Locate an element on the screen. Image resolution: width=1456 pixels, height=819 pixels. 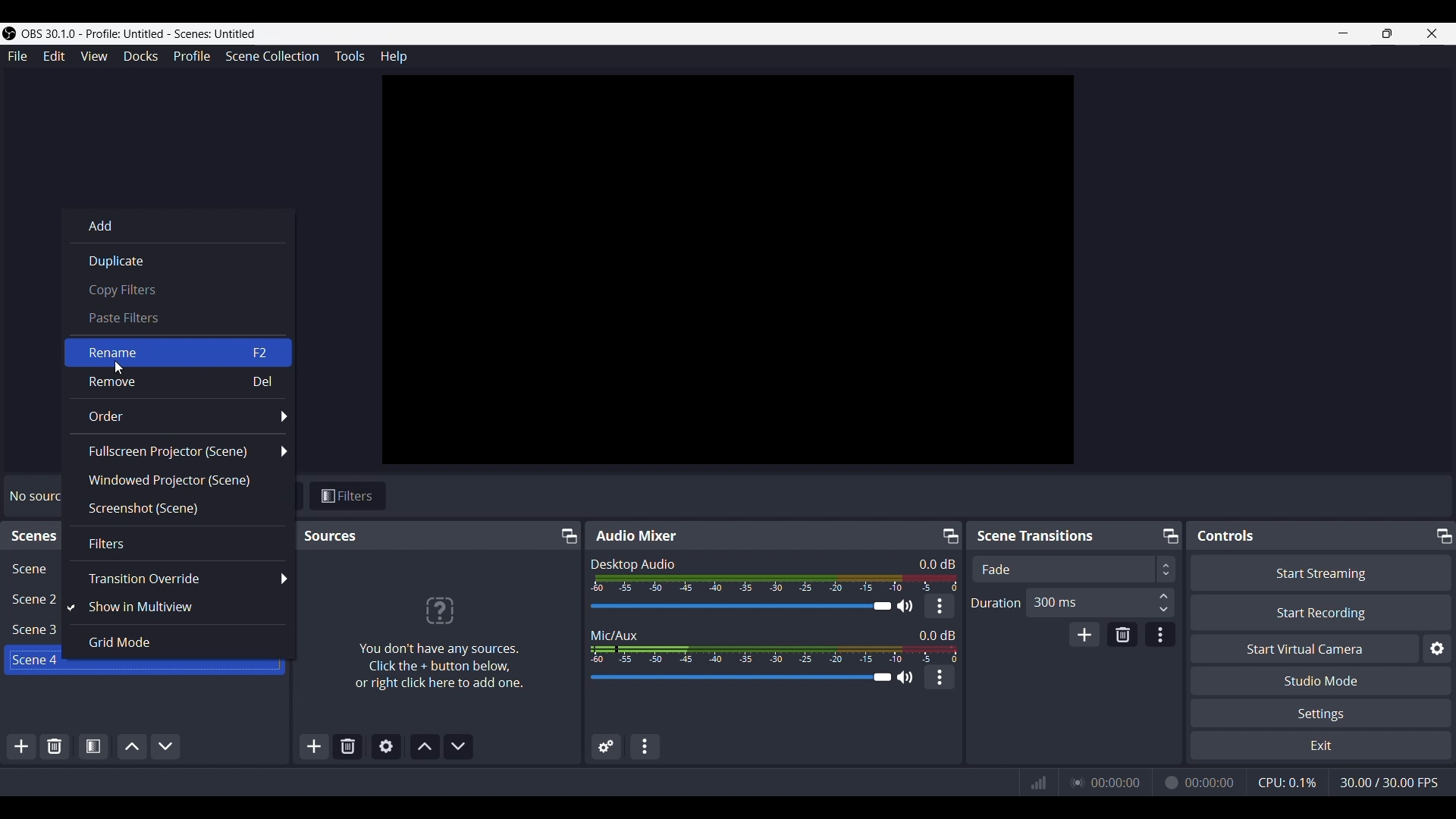
Exit is located at coordinates (1319, 746).